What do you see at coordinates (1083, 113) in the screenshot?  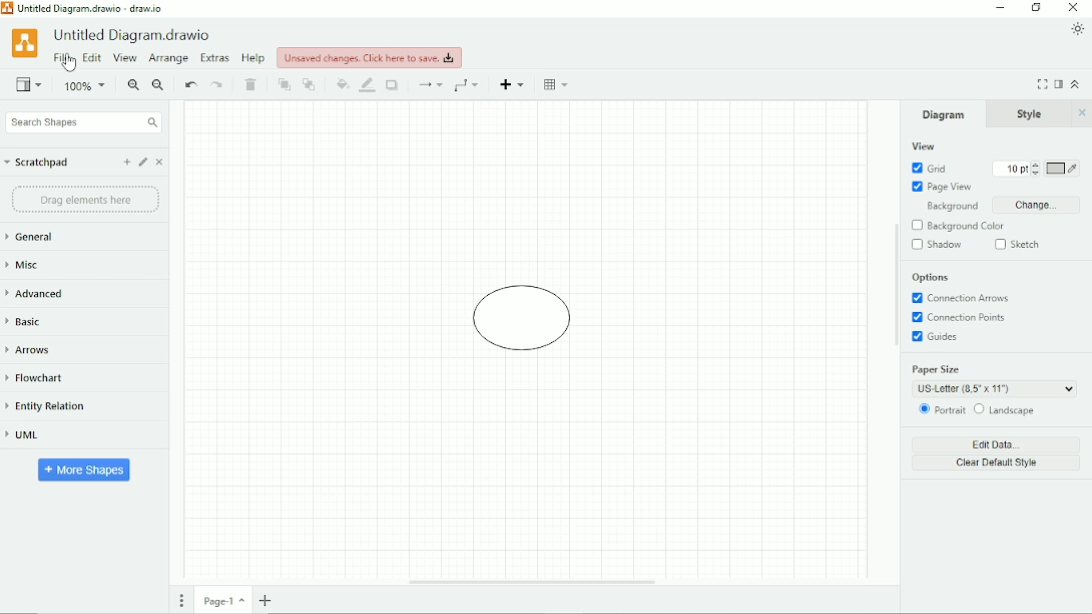 I see `Close` at bounding box center [1083, 113].